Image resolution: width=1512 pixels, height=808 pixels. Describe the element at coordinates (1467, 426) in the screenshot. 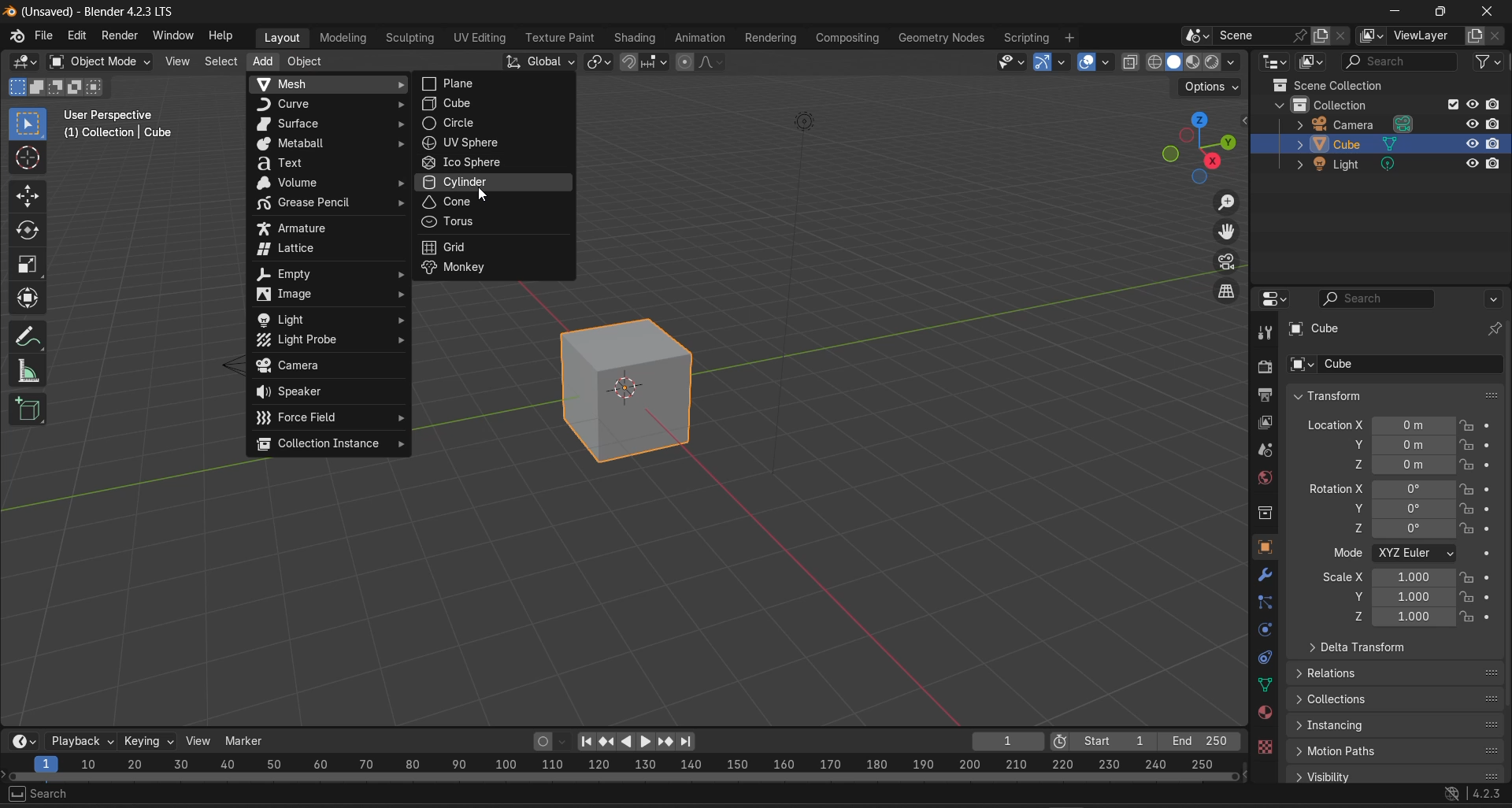

I see `lock location` at that location.